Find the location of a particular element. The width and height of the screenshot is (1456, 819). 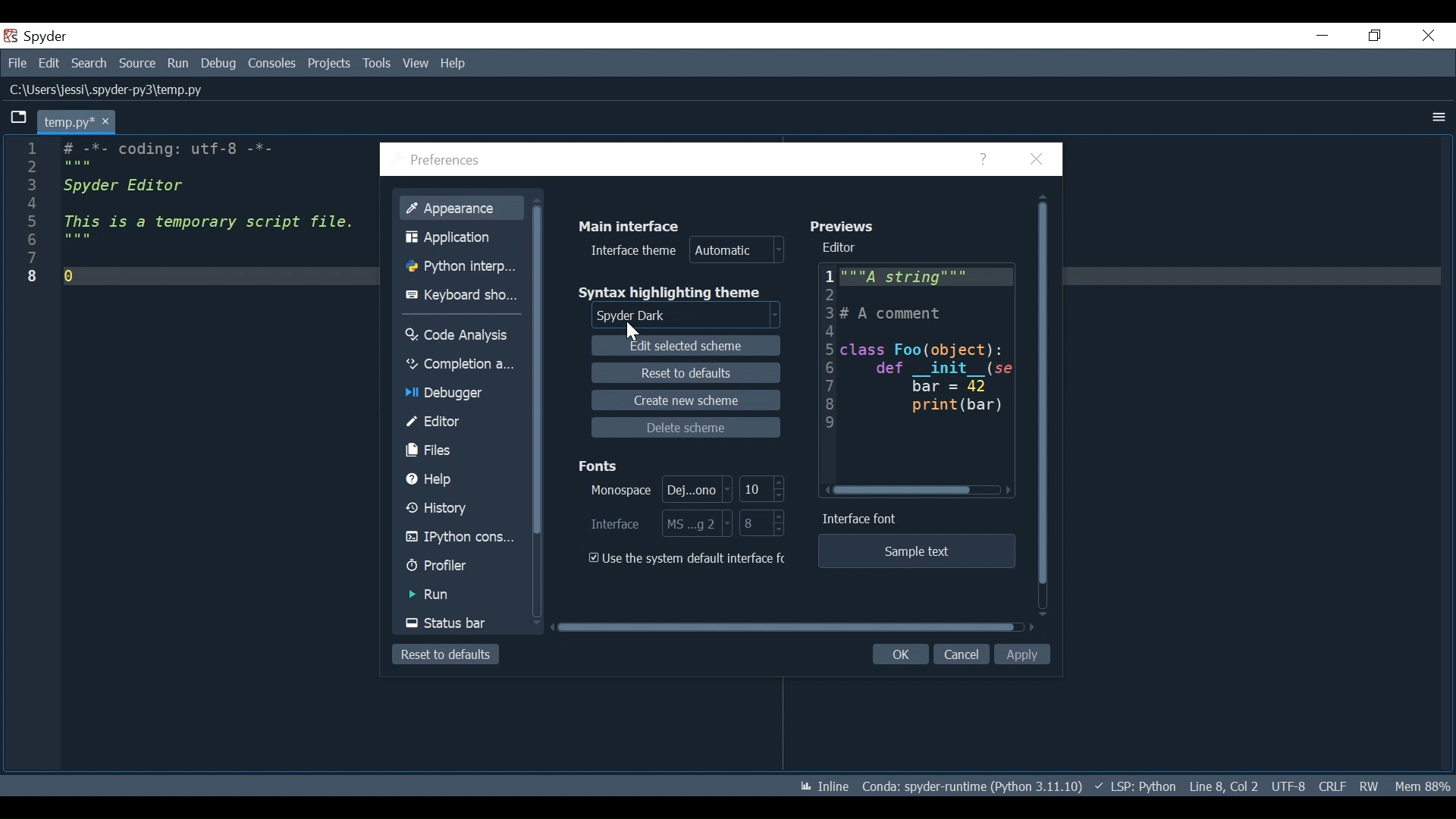

Debug is located at coordinates (218, 63).